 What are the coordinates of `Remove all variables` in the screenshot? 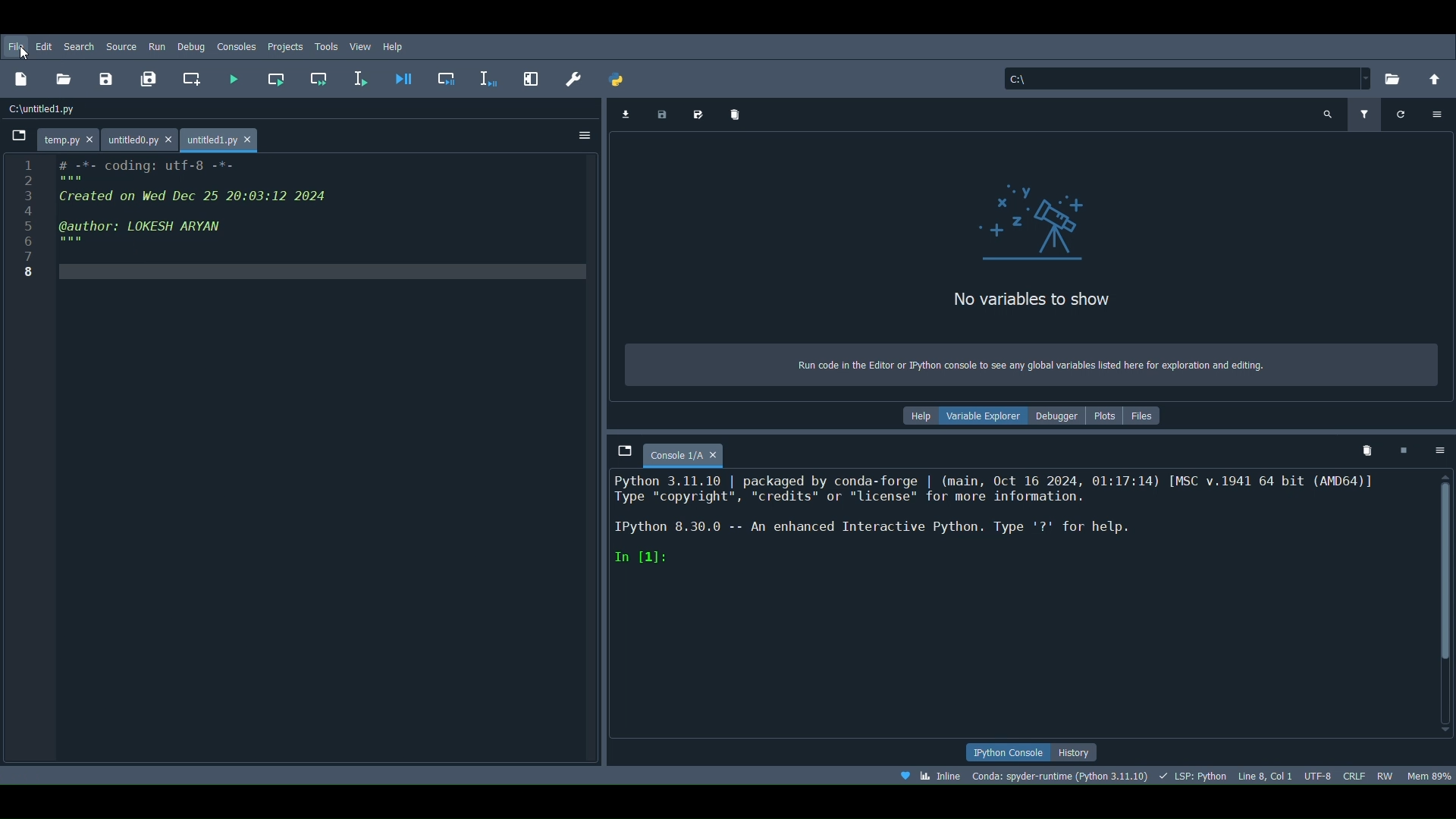 It's located at (736, 115).